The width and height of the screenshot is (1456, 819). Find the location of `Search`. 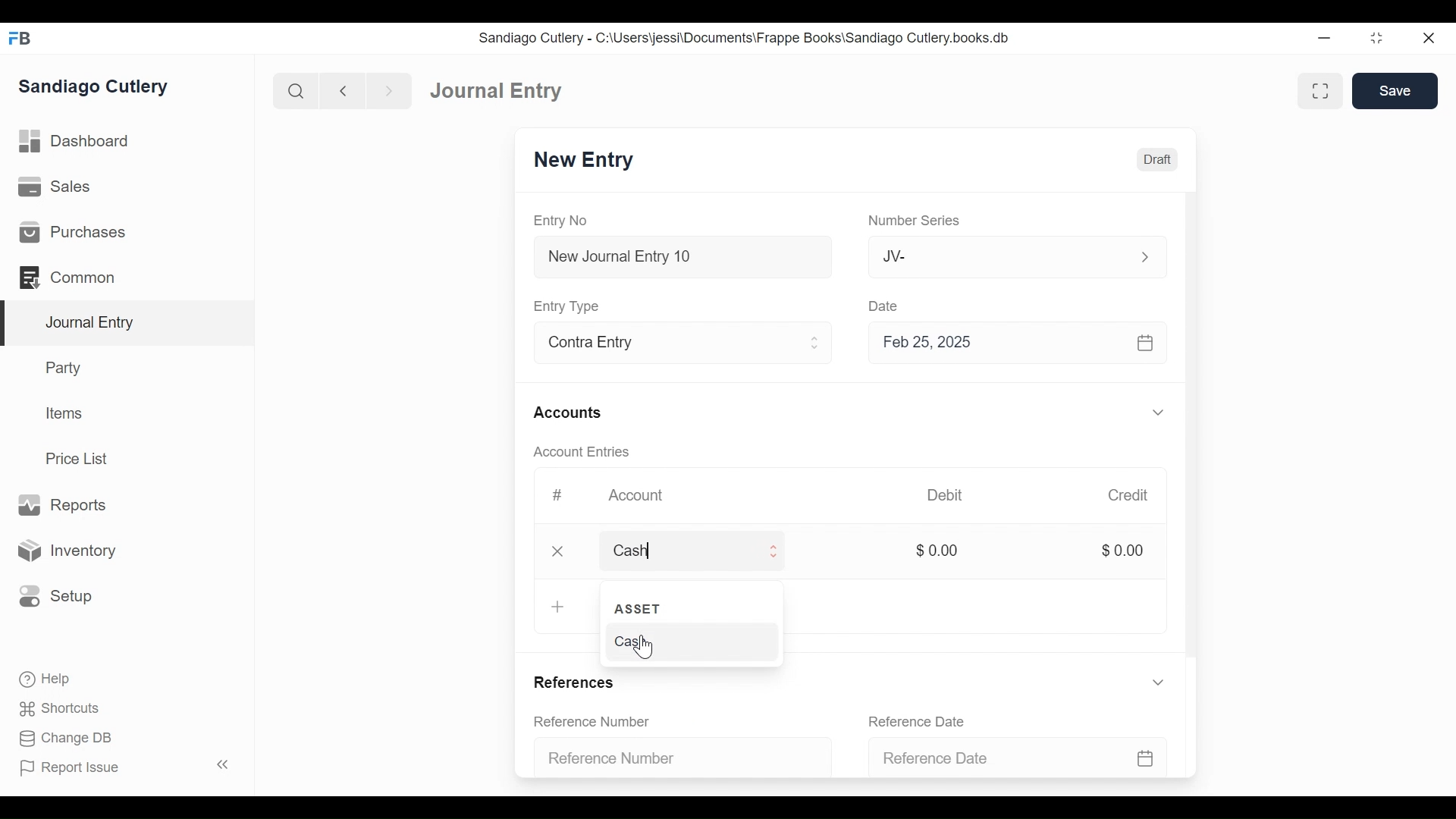

Search is located at coordinates (297, 90).